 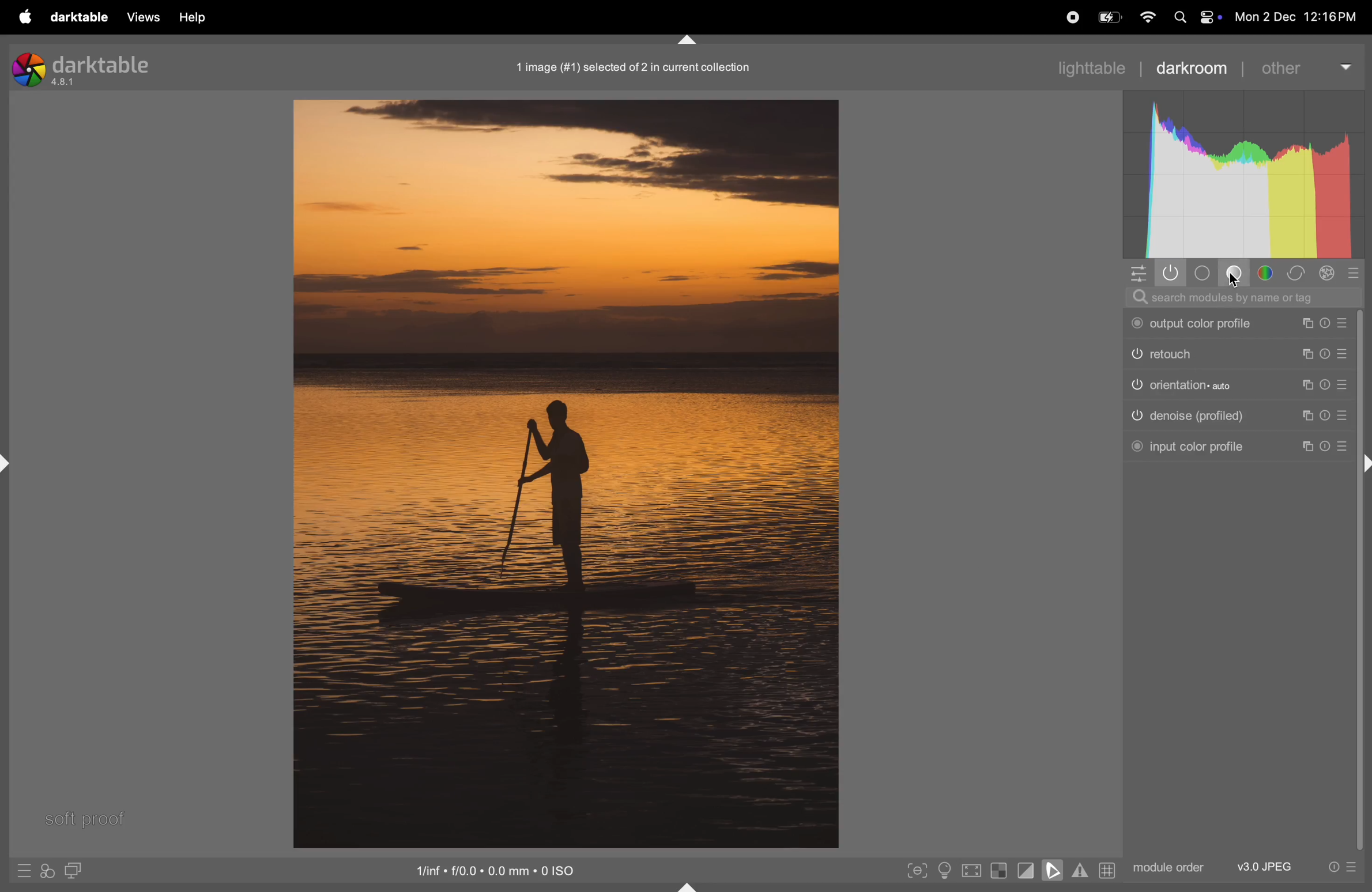 What do you see at coordinates (1026, 870) in the screenshot?
I see `toggle clipping indications` at bounding box center [1026, 870].